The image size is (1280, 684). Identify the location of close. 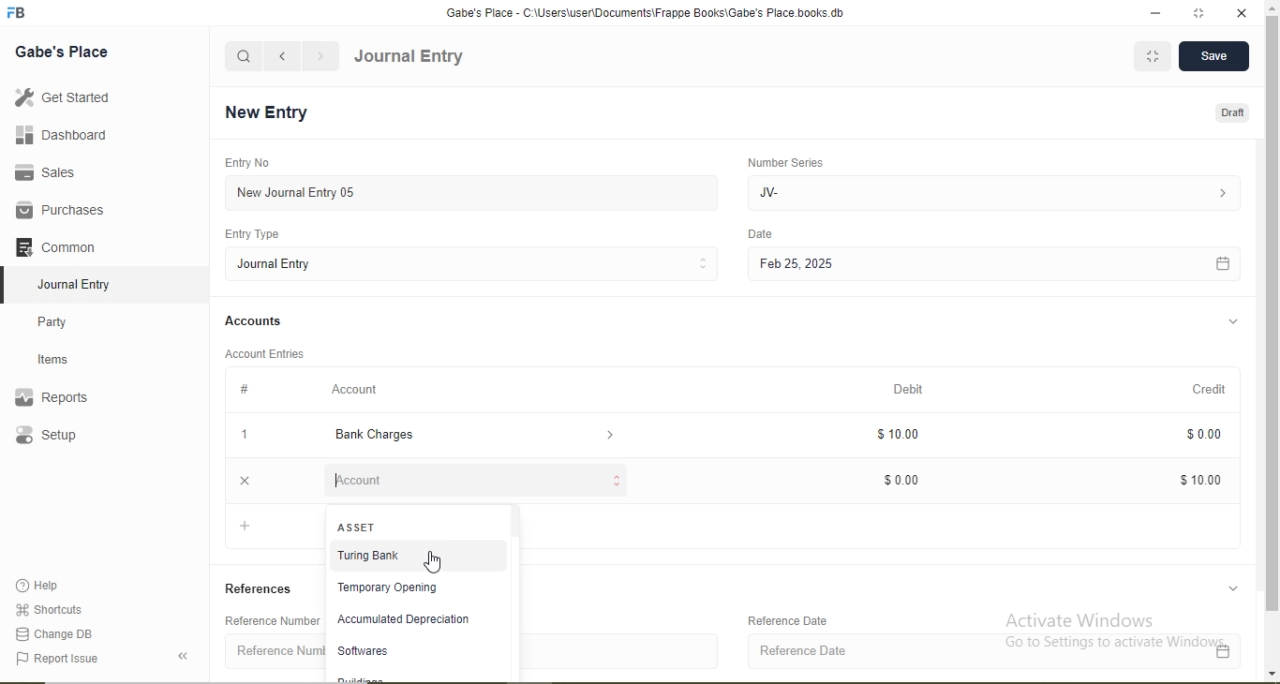
(241, 481).